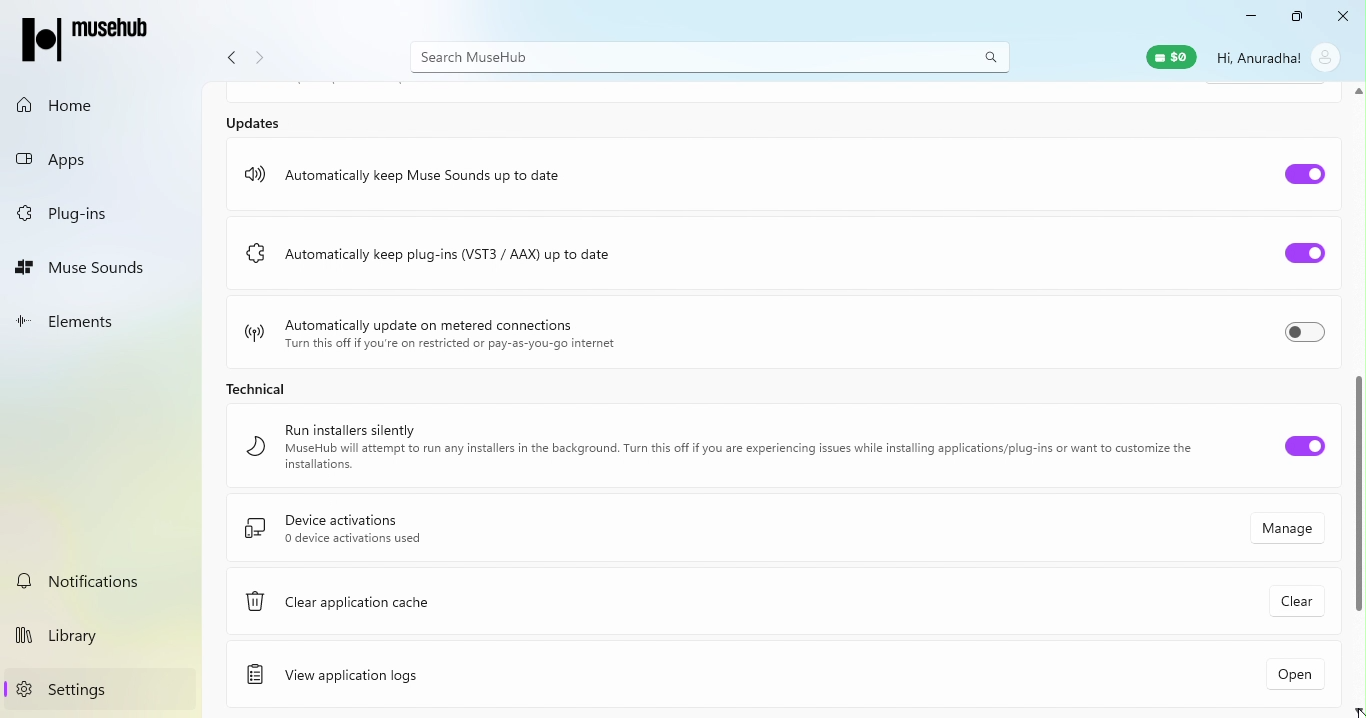 Image resolution: width=1366 pixels, height=718 pixels. I want to click on scroll down, so click(1357, 711).